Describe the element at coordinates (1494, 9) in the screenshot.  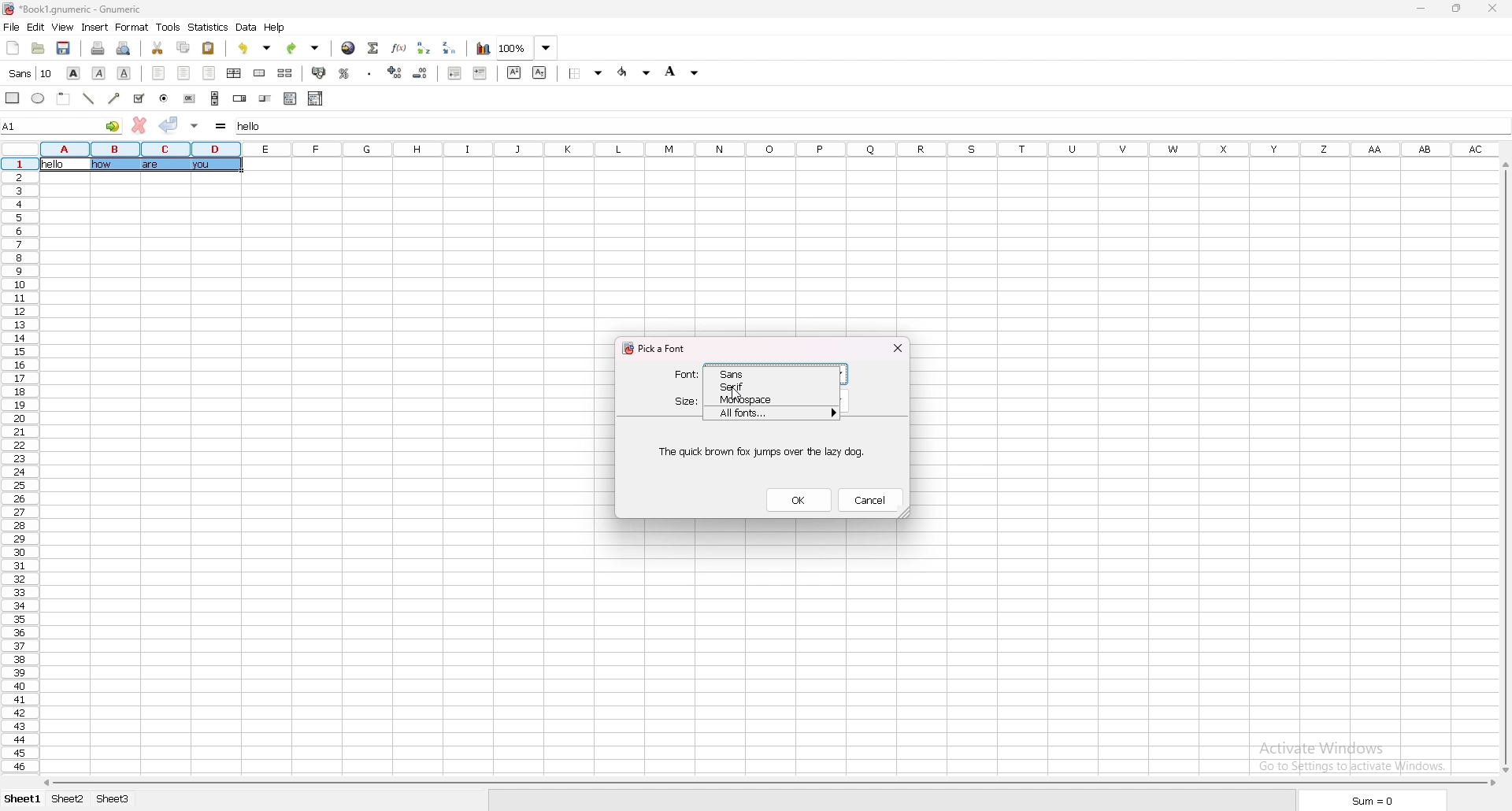
I see `close` at that location.